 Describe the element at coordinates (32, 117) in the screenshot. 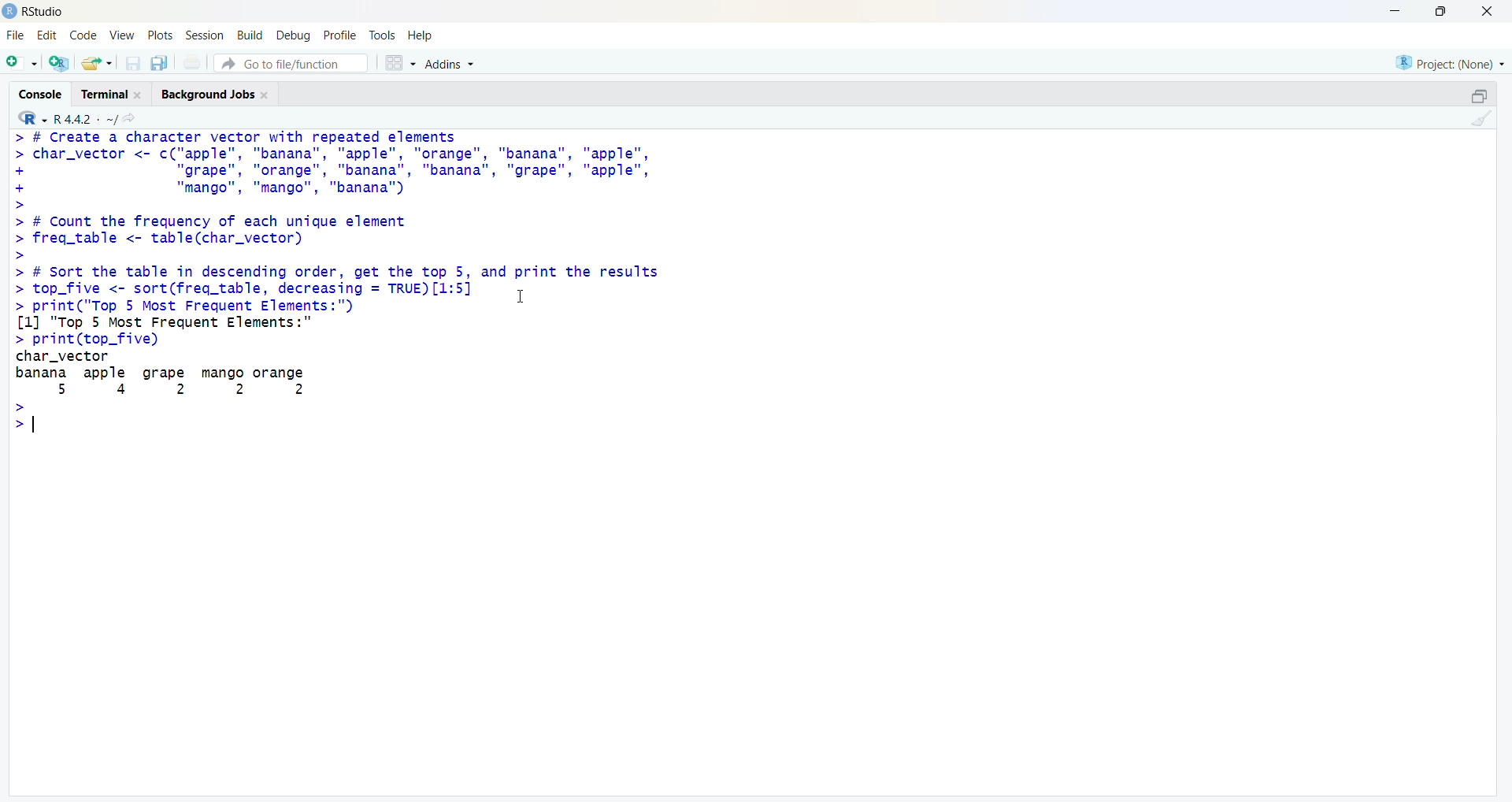

I see `R` at that location.